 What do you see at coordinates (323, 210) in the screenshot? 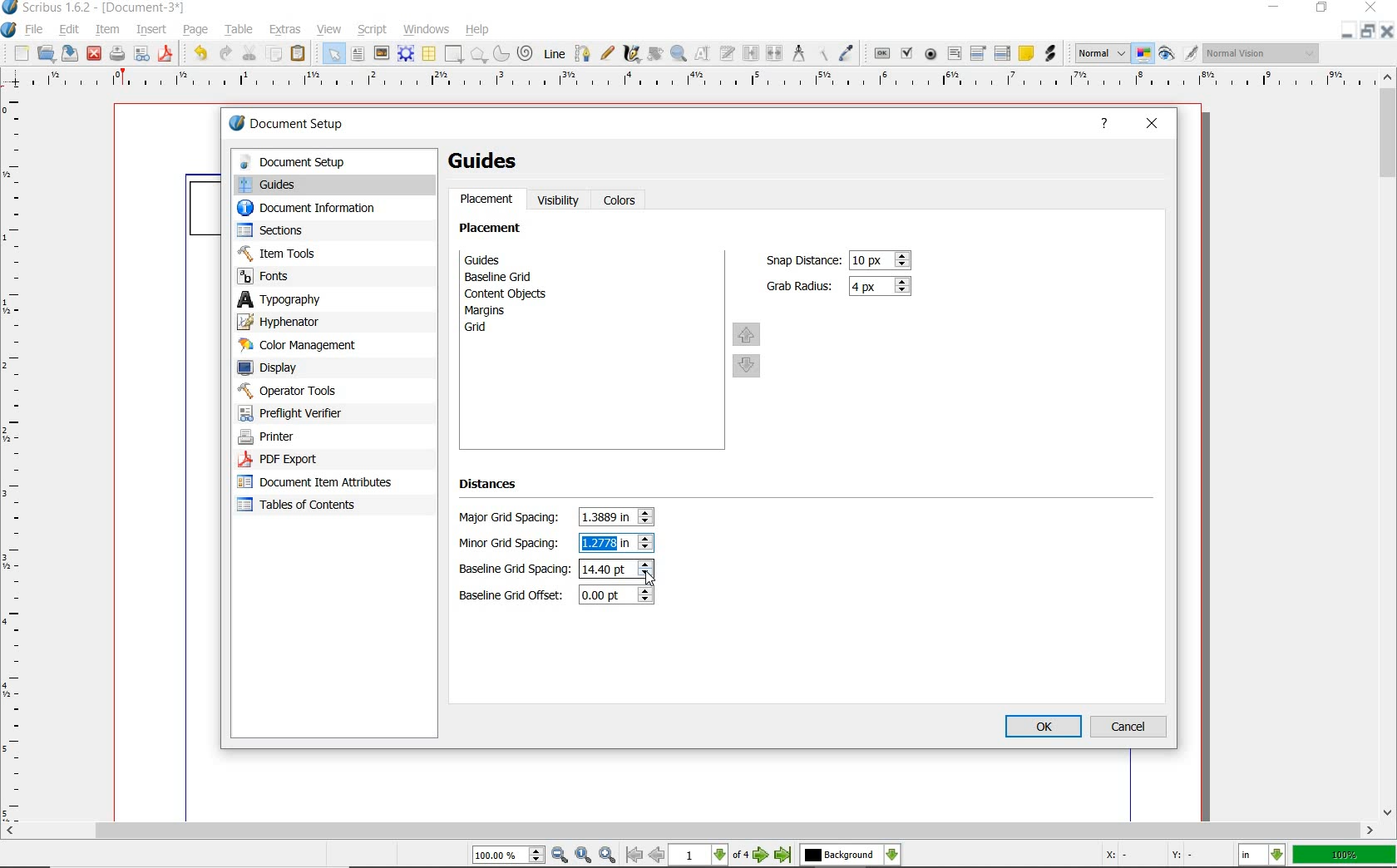
I see `document information` at bounding box center [323, 210].